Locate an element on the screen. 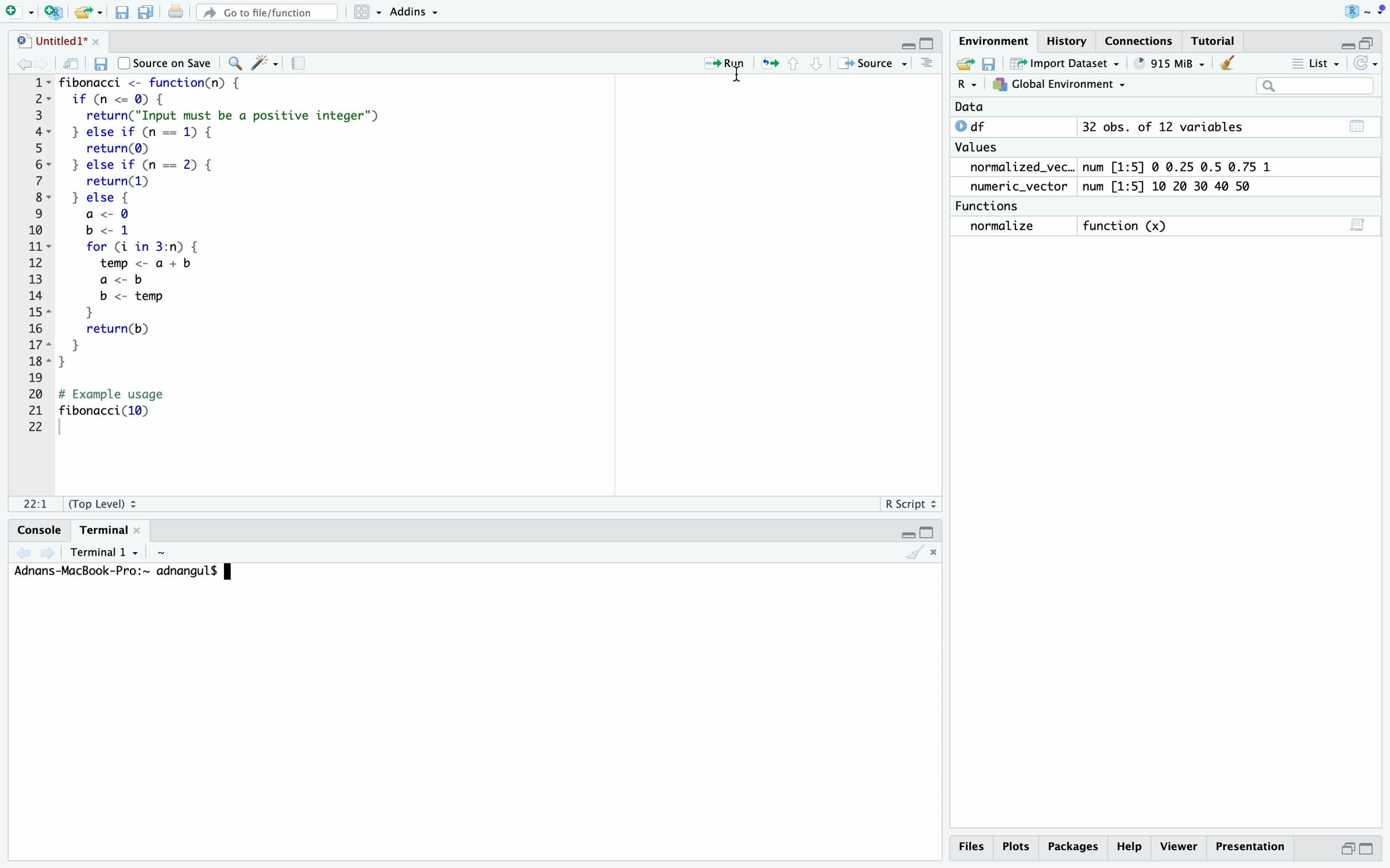  Address-MackBook-Pro:~ adnangul$ is located at coordinates (113, 573).